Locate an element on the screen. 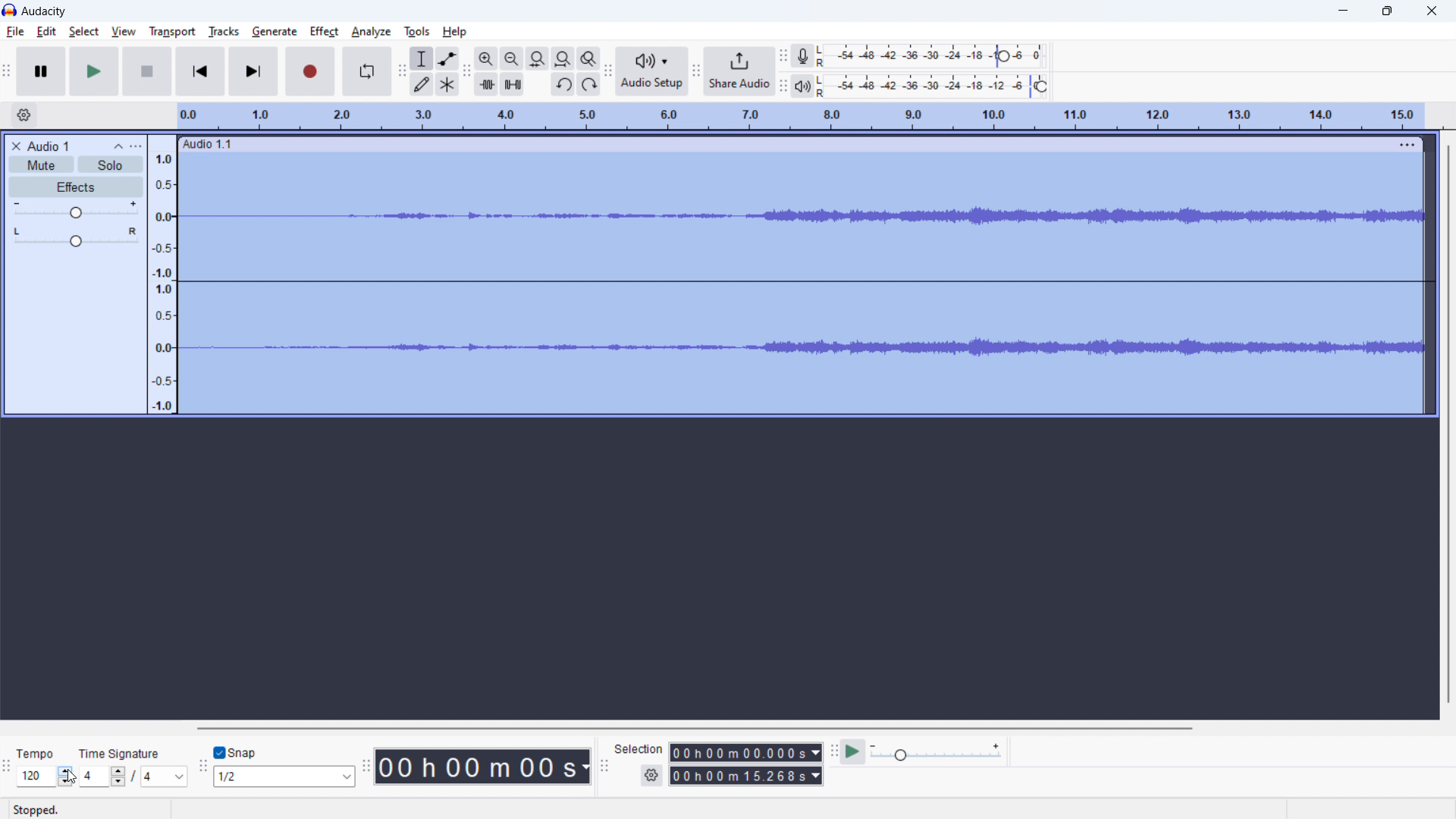 This screenshot has height=819, width=1456. undo is located at coordinates (563, 84).